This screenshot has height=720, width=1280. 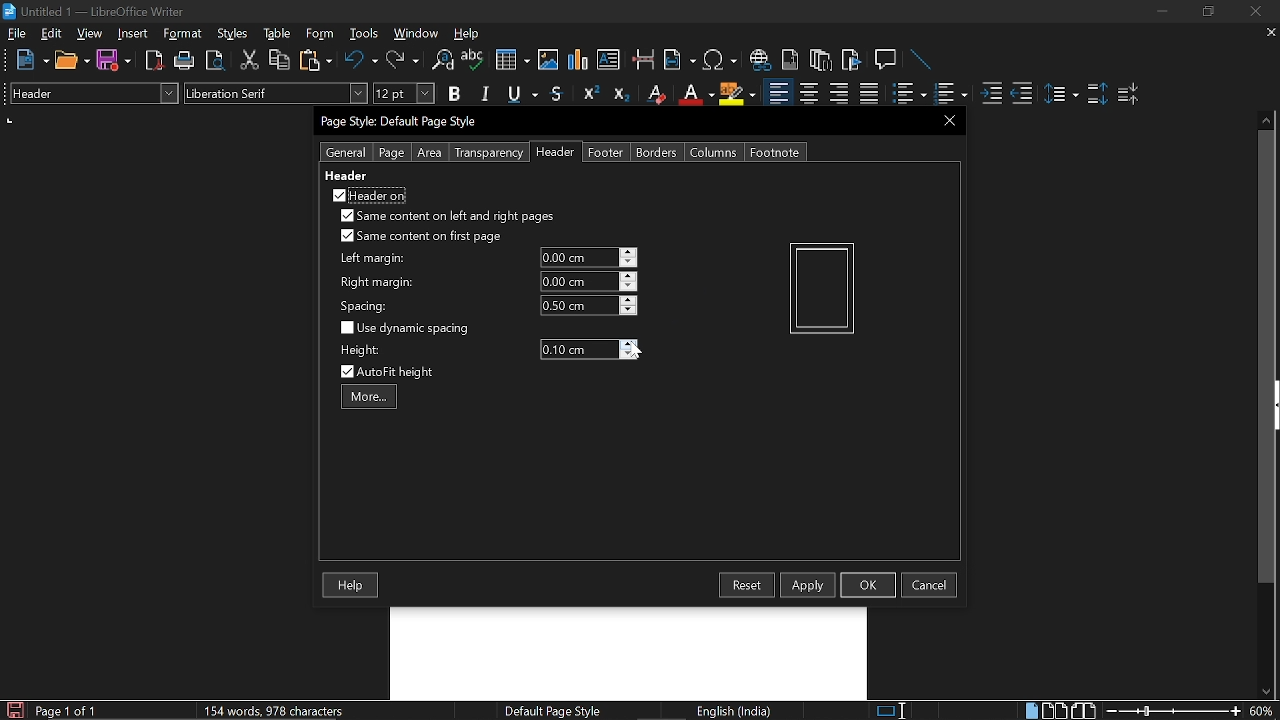 What do you see at coordinates (1267, 118) in the screenshot?
I see `Move up` at bounding box center [1267, 118].